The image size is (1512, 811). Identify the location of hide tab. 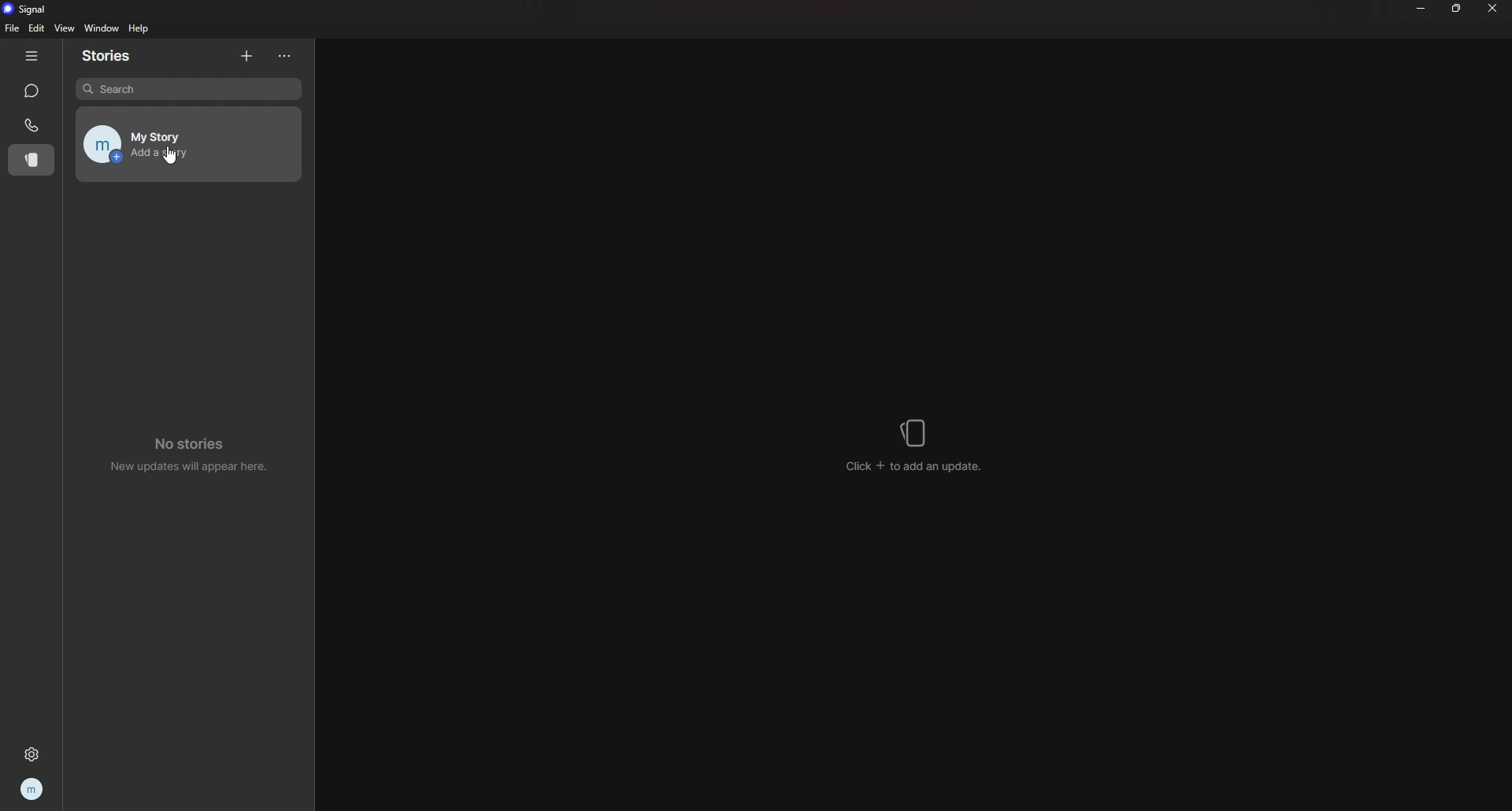
(31, 56).